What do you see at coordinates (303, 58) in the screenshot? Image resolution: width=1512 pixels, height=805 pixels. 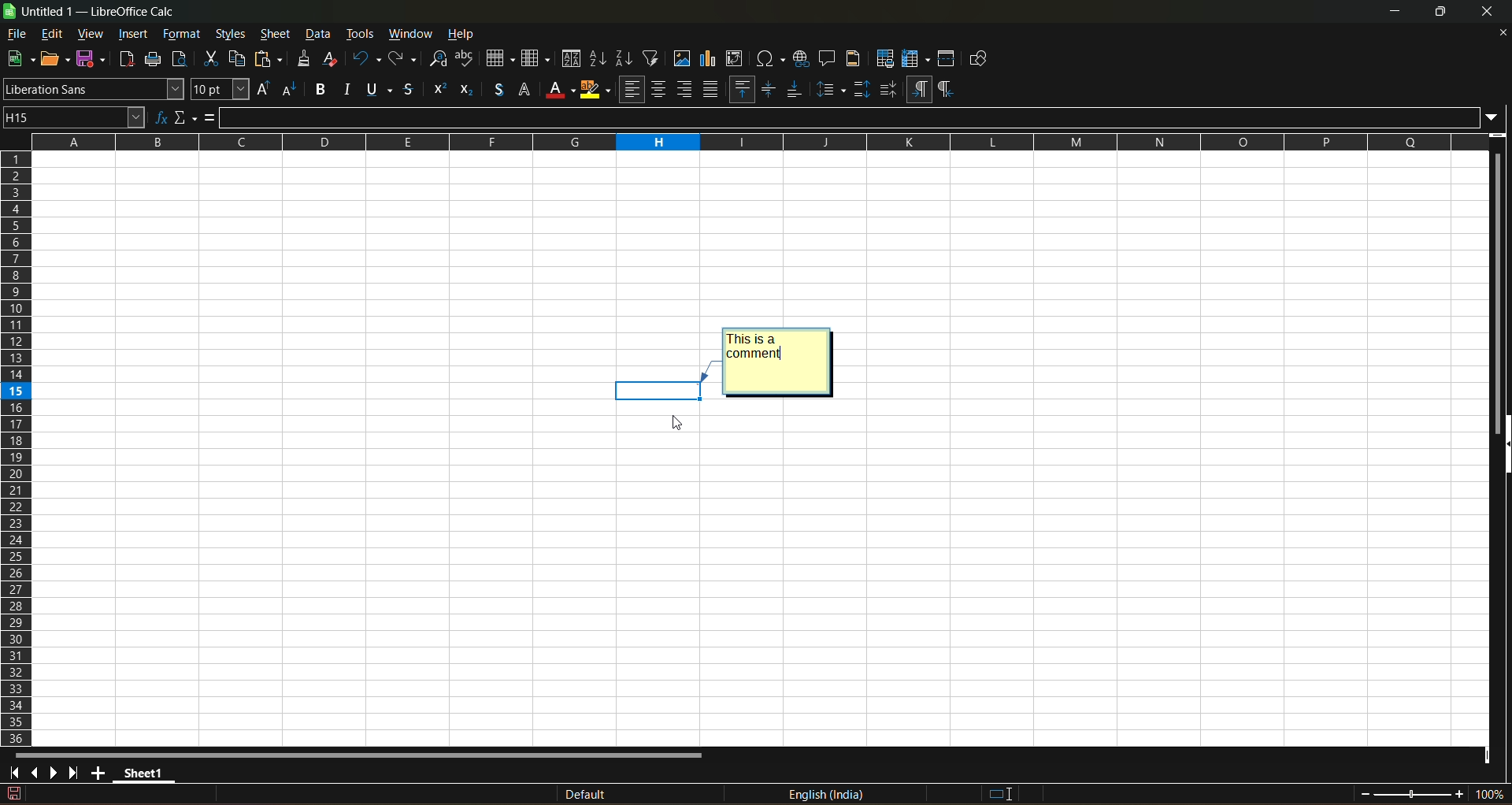 I see `clone formatting` at bounding box center [303, 58].